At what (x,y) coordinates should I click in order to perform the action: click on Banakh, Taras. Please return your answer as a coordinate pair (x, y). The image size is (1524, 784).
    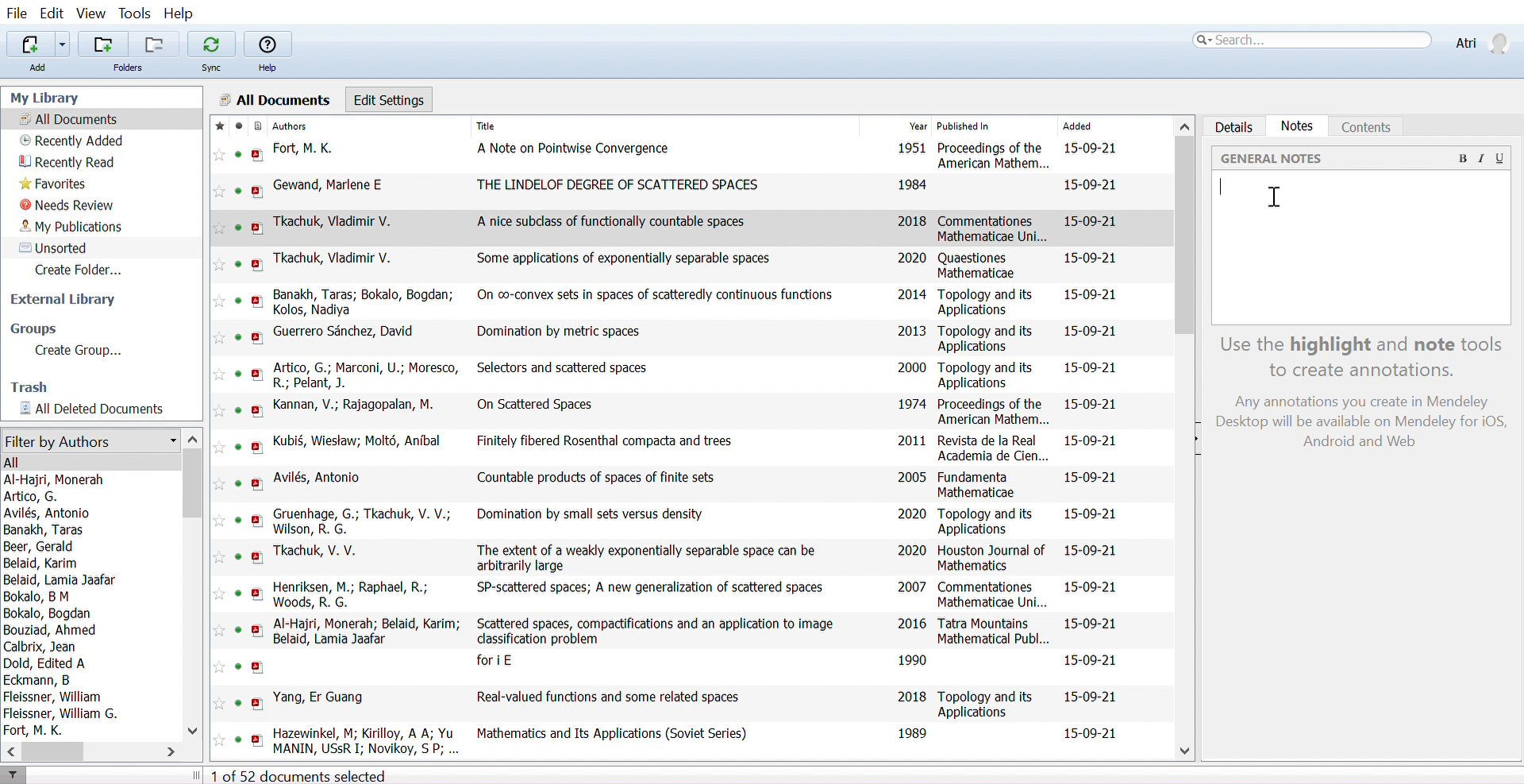
    Looking at the image, I should click on (47, 530).